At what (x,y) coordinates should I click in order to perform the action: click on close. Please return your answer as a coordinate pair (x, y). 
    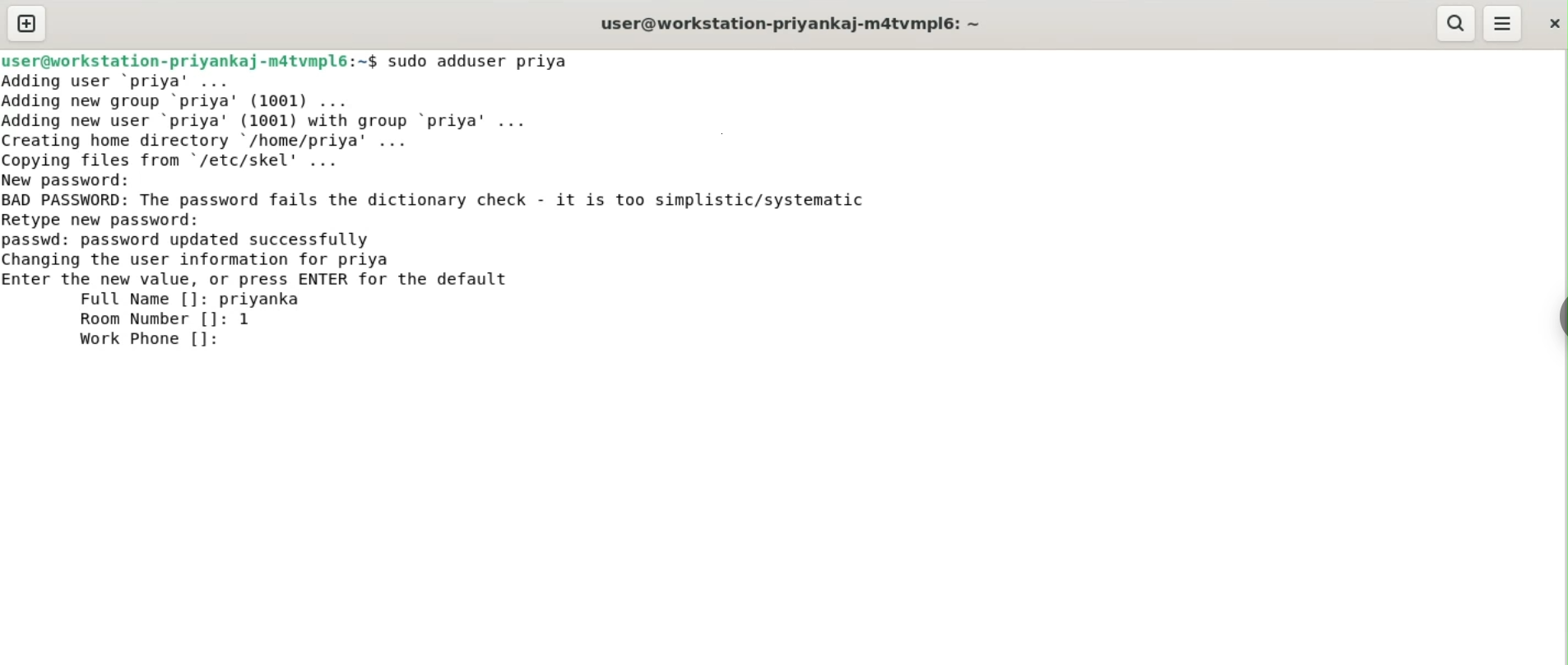
    Looking at the image, I should click on (1552, 23).